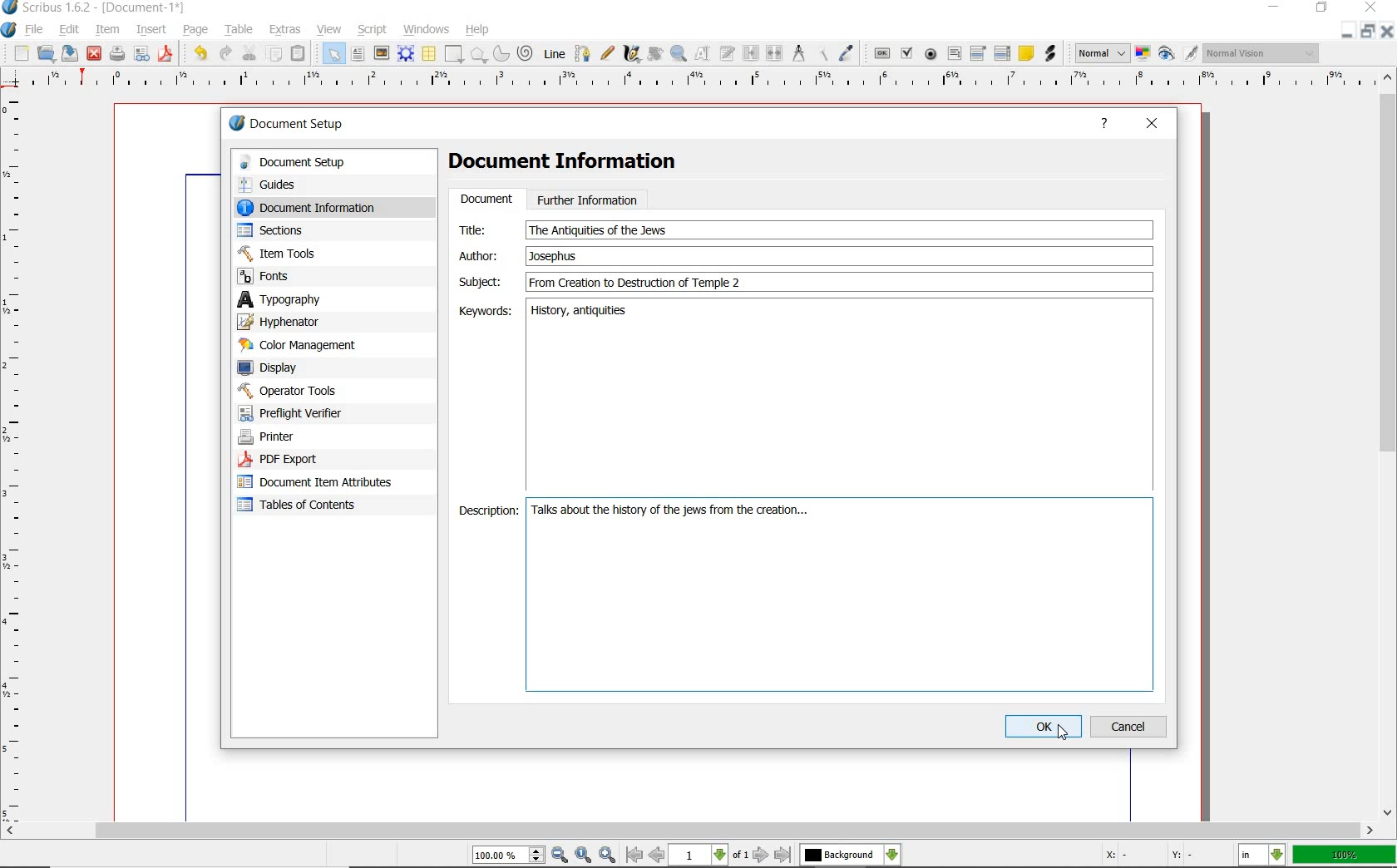 Image resolution: width=1397 pixels, height=868 pixels. What do you see at coordinates (483, 229) in the screenshot?
I see `Title` at bounding box center [483, 229].